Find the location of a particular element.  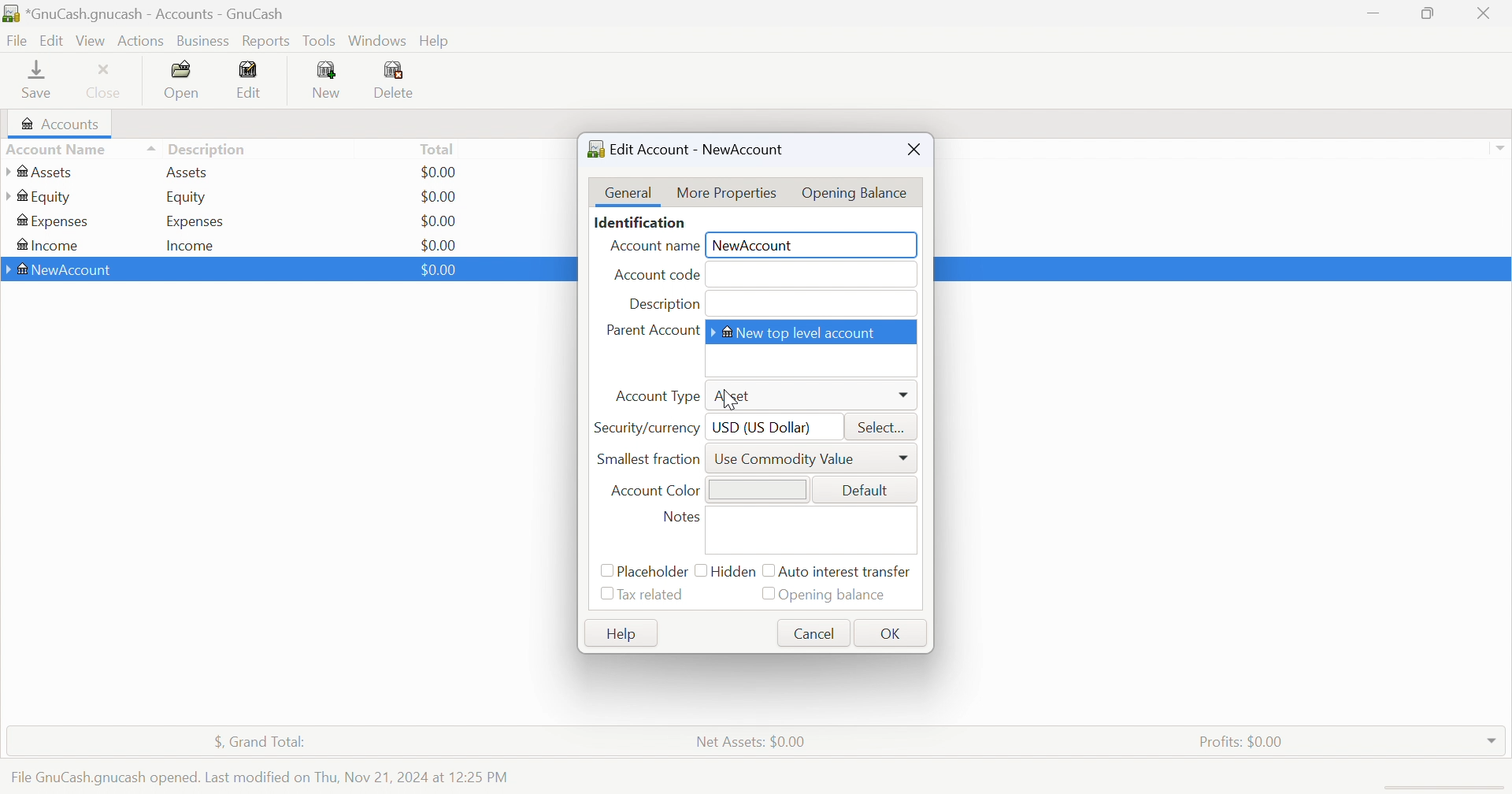

$0.00 is located at coordinates (439, 270).